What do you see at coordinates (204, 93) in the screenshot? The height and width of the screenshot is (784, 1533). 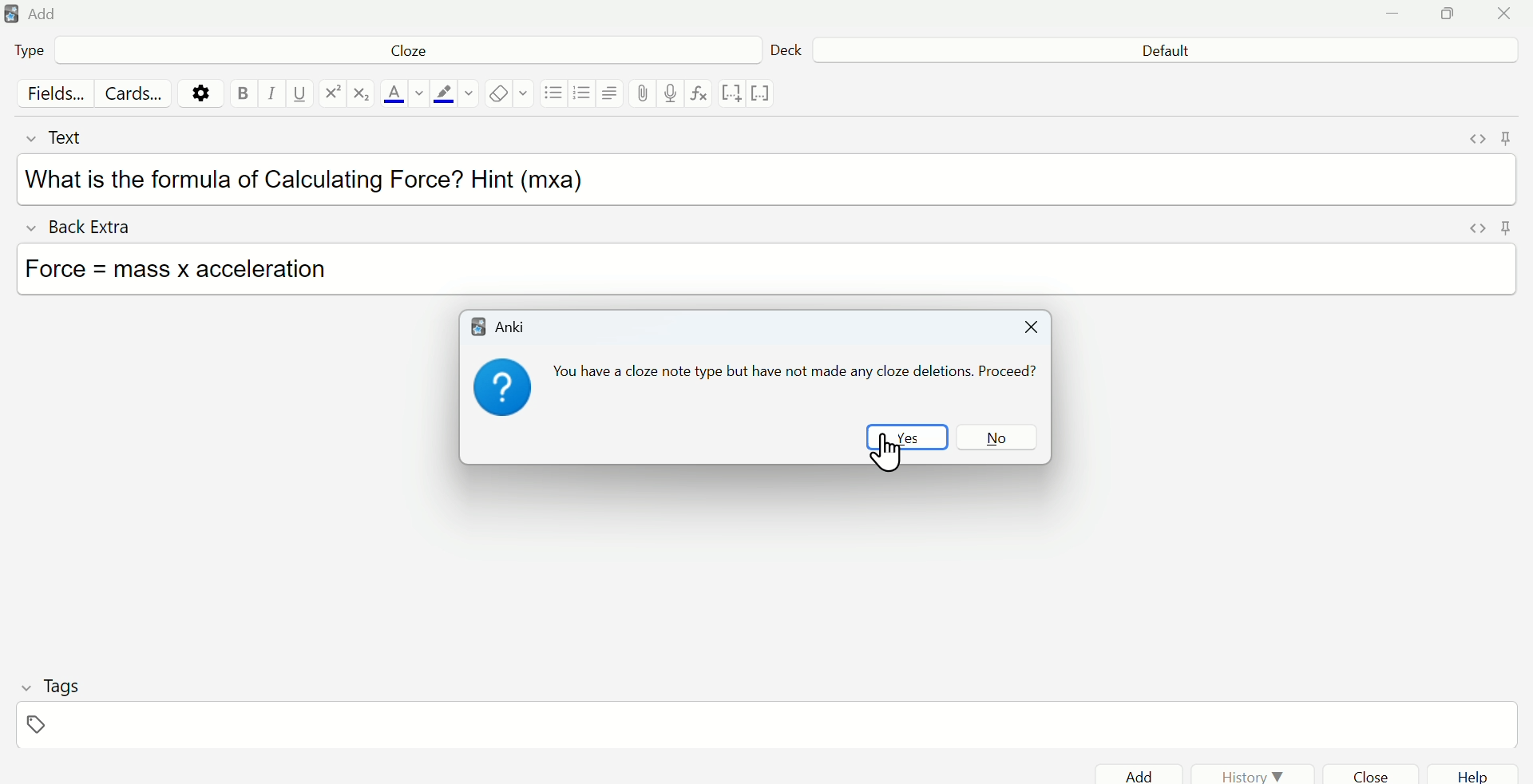 I see `Settings` at bounding box center [204, 93].